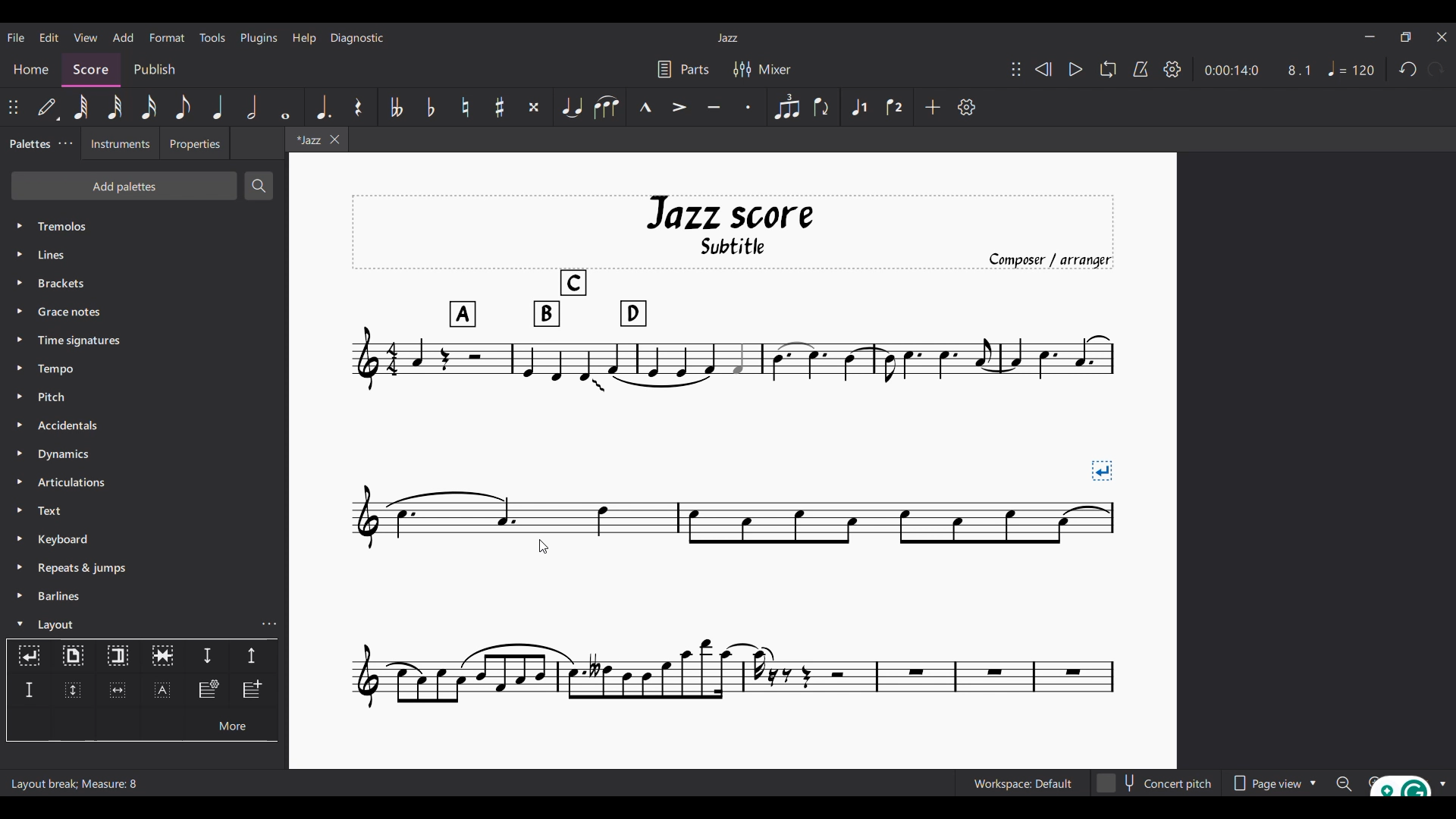 This screenshot has height=819, width=1456. I want to click on Keyboard, so click(145, 539).